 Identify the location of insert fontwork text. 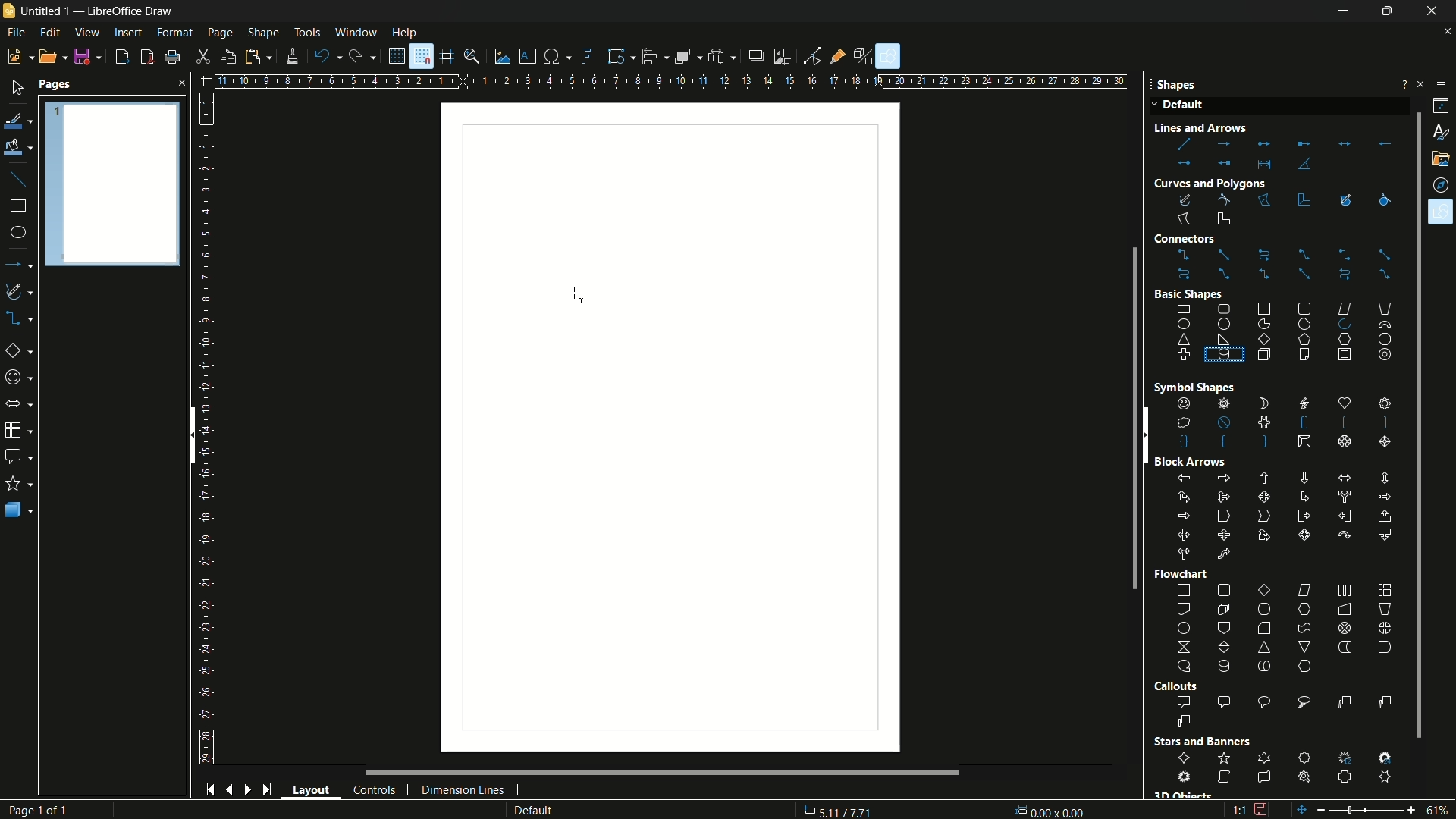
(588, 56).